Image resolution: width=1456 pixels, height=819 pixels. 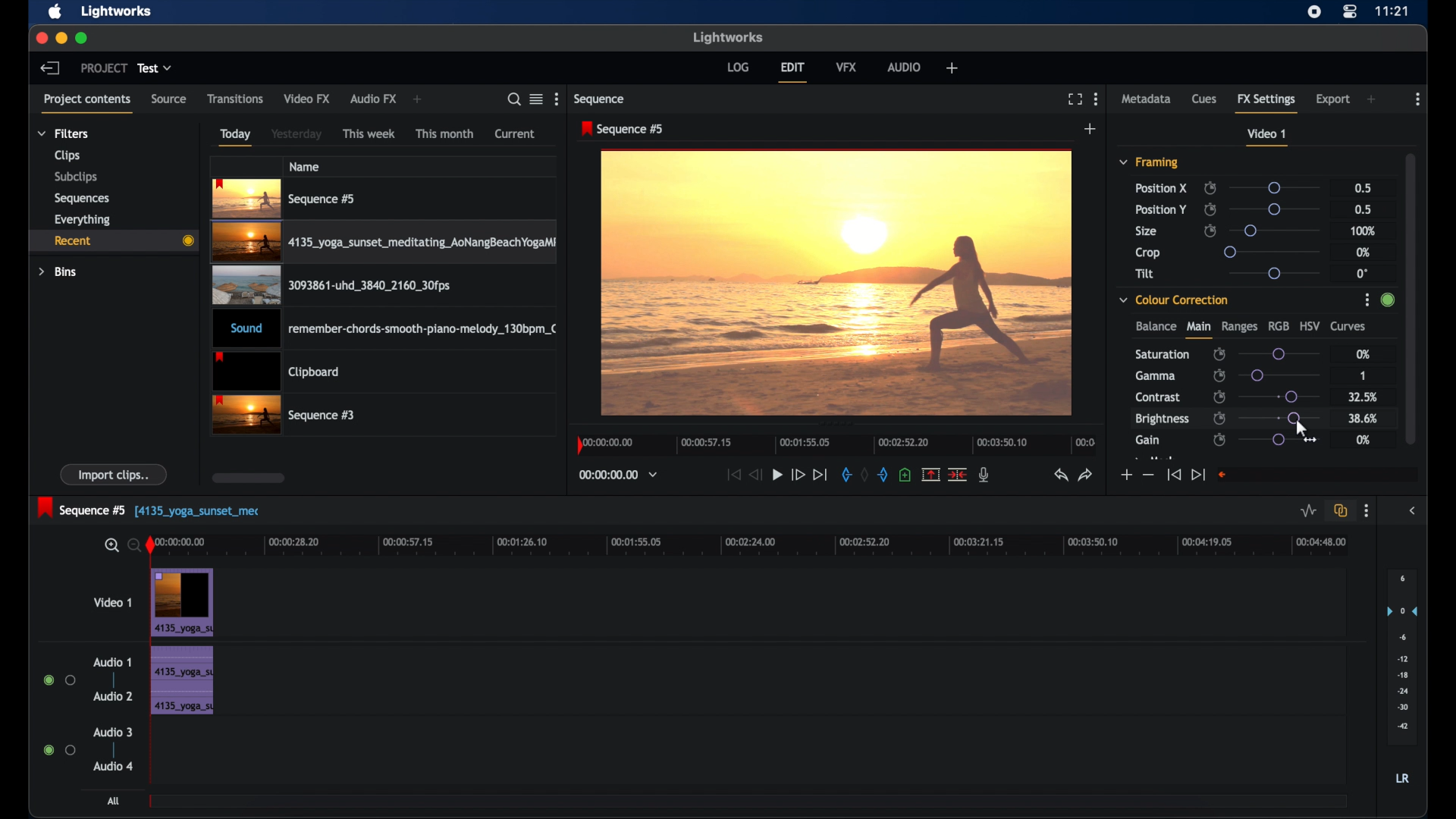 What do you see at coordinates (1197, 475) in the screenshot?
I see `jump to end` at bounding box center [1197, 475].